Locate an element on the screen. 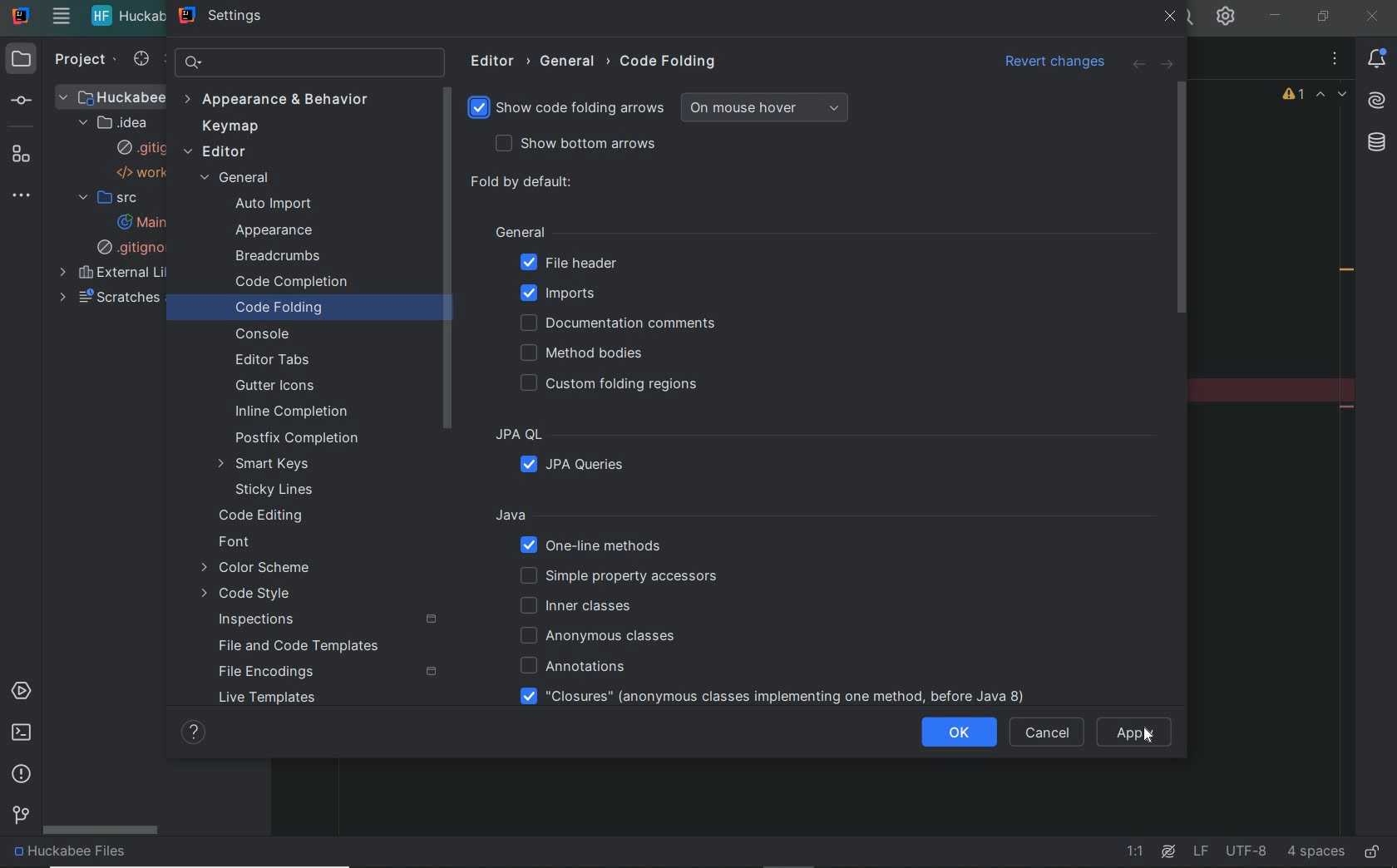 The image size is (1397, 868). fold by default is located at coordinates (524, 182).